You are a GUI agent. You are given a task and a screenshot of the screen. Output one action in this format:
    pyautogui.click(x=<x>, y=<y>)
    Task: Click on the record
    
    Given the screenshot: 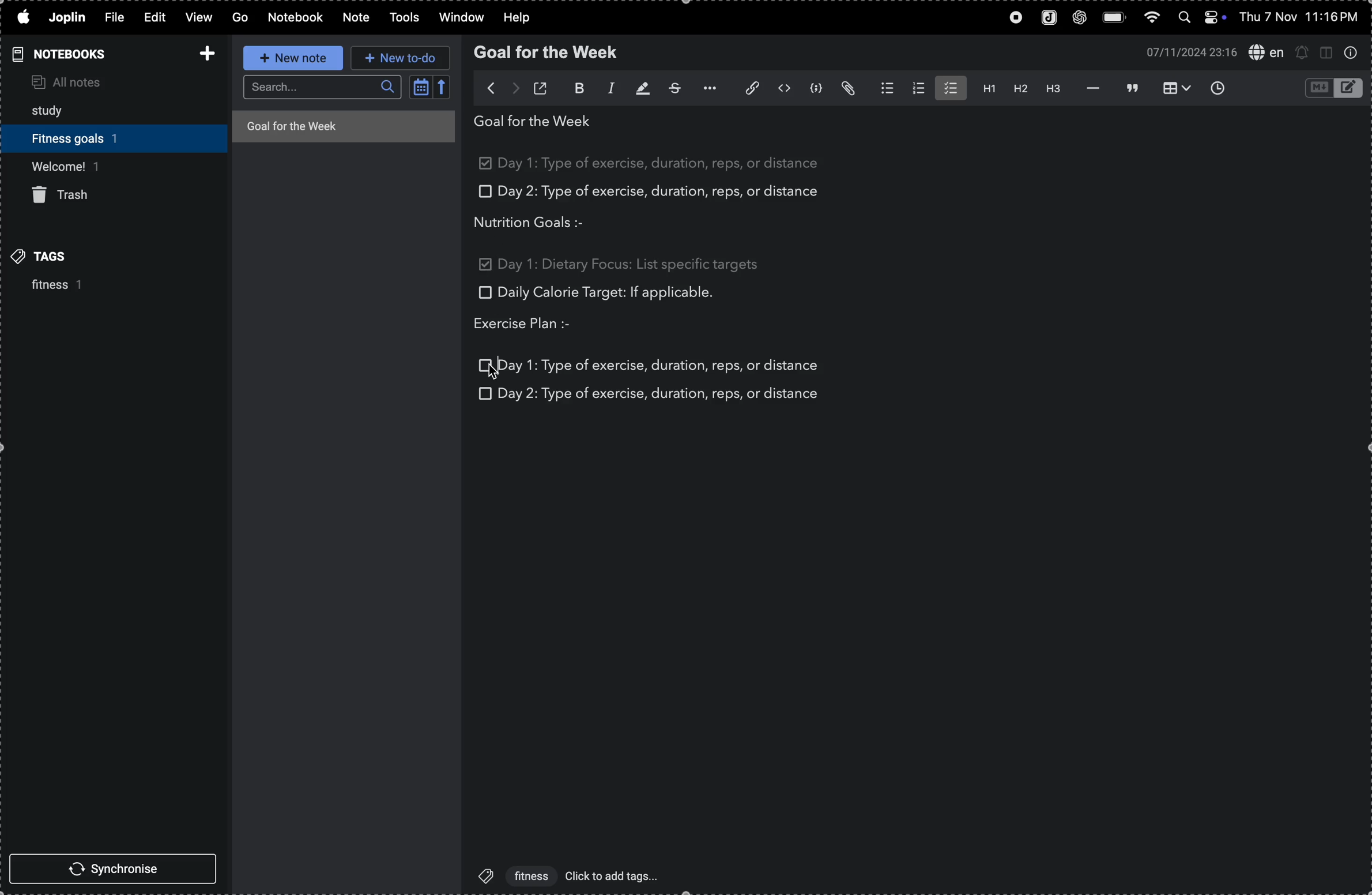 What is the action you would take?
    pyautogui.click(x=1009, y=18)
    